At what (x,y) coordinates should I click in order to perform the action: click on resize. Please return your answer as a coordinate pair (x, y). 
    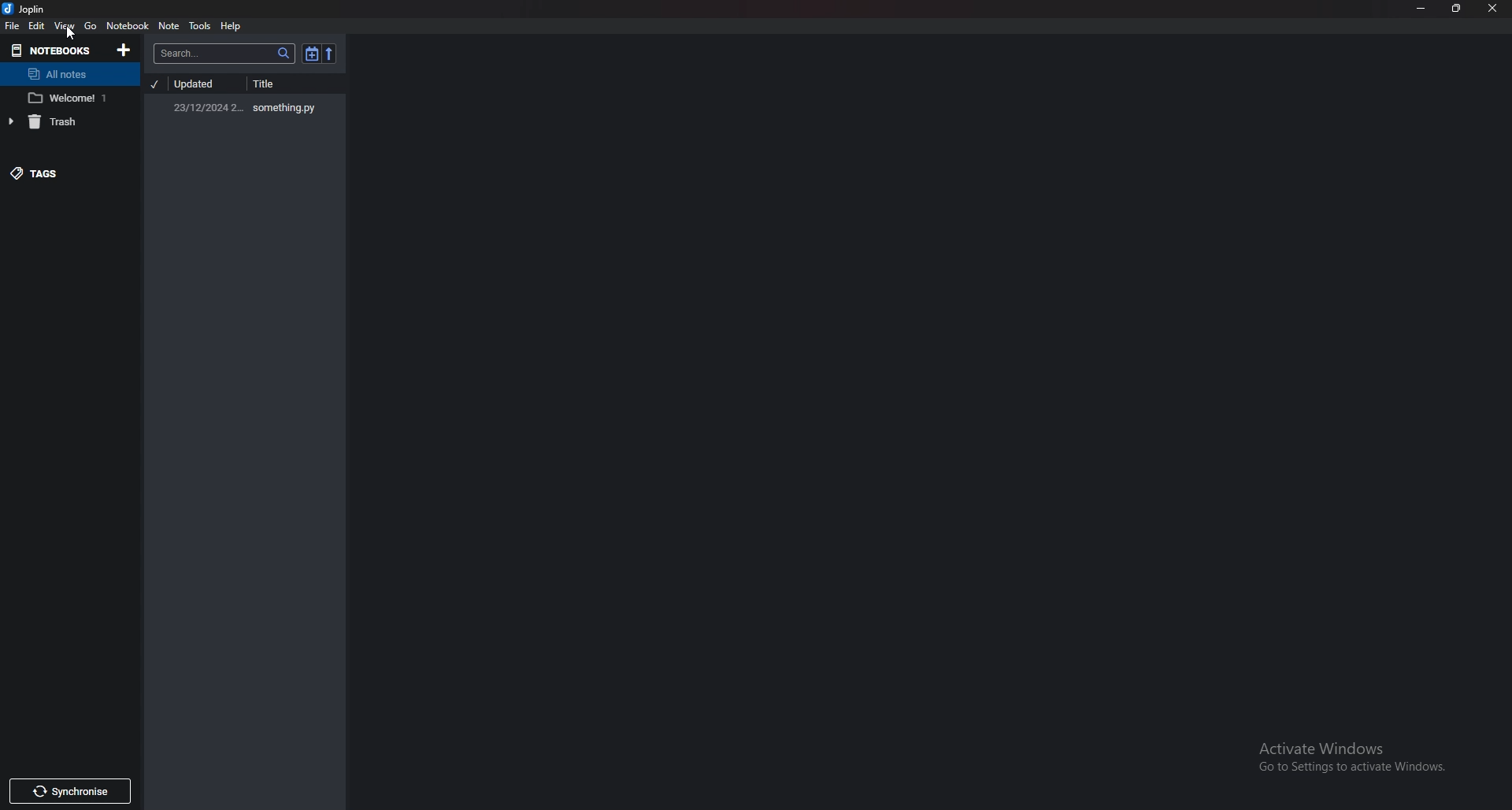
    Looking at the image, I should click on (1458, 9).